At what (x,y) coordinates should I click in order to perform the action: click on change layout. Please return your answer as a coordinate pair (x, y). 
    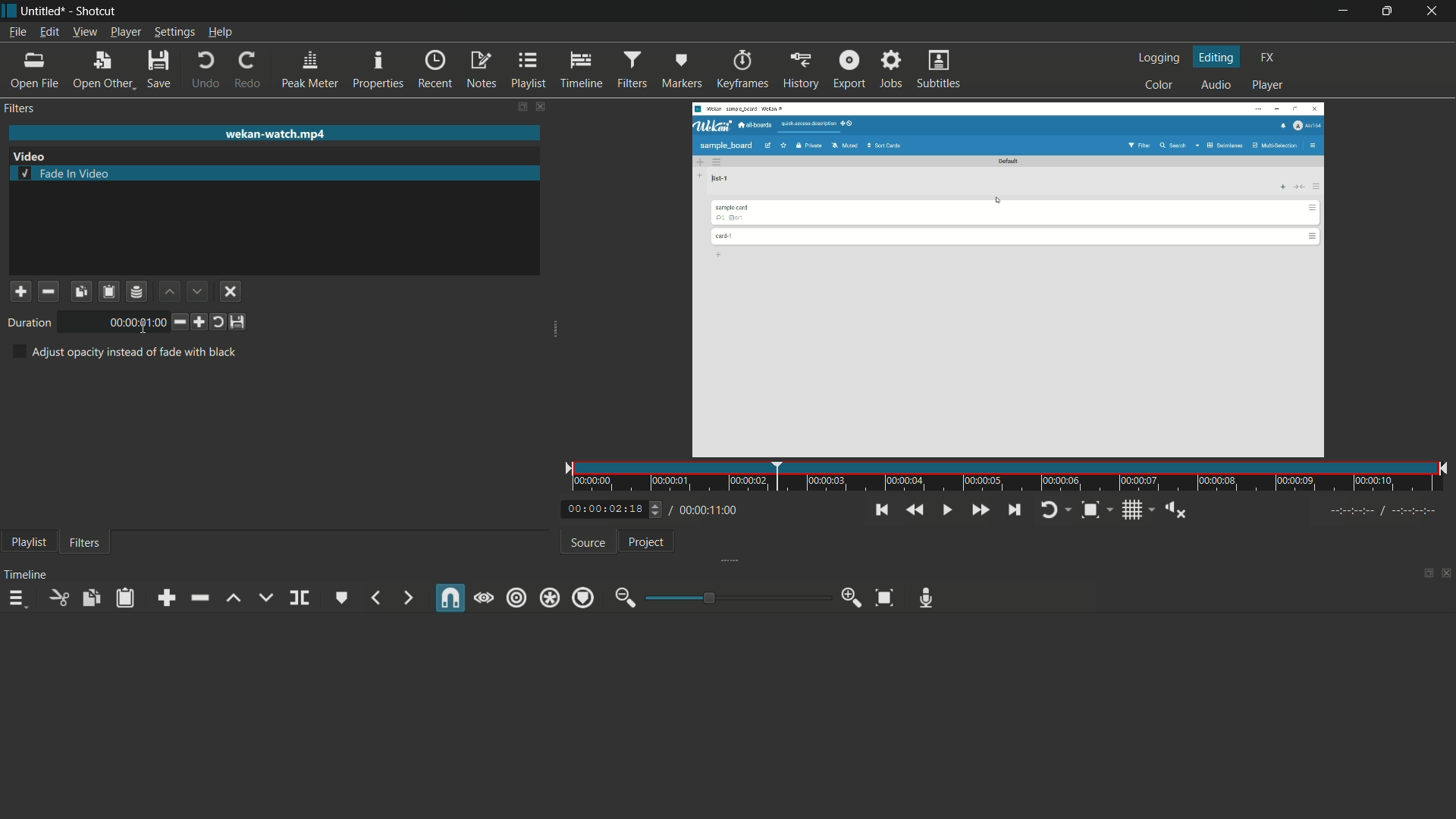
    Looking at the image, I should click on (519, 107).